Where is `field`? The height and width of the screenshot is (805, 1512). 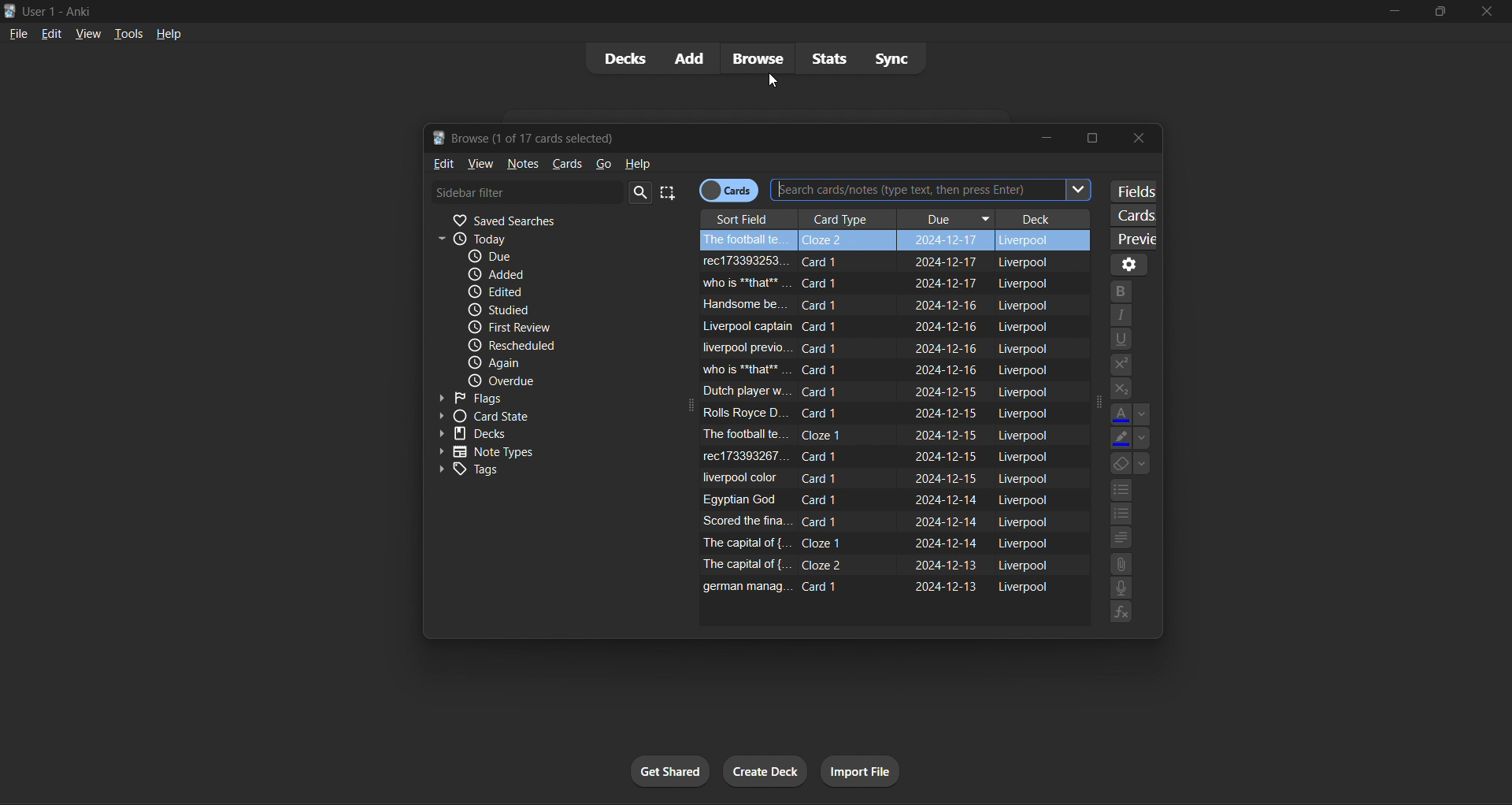 field is located at coordinates (748, 588).